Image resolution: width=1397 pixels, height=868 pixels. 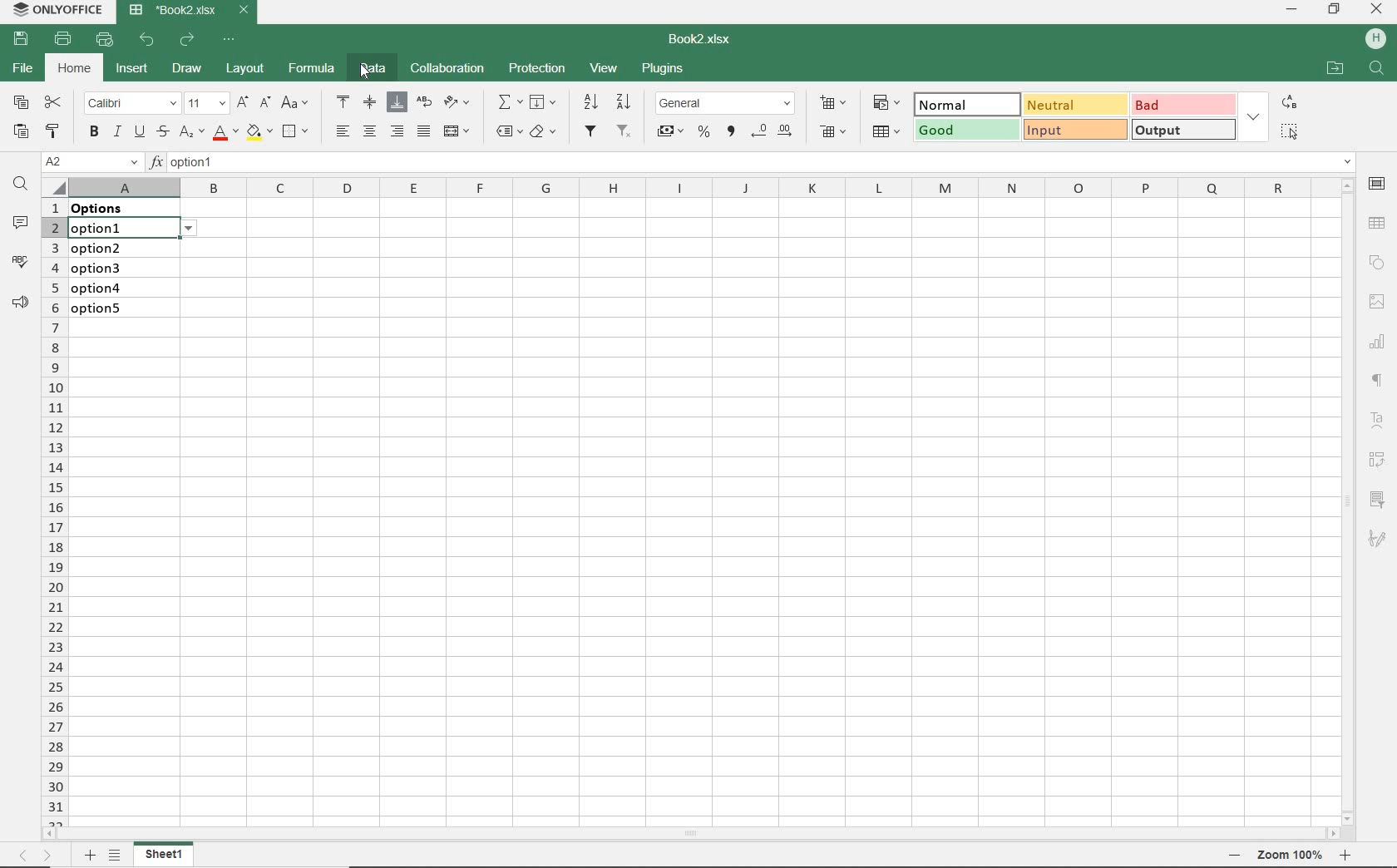 I want to click on ITALIC, so click(x=116, y=131).